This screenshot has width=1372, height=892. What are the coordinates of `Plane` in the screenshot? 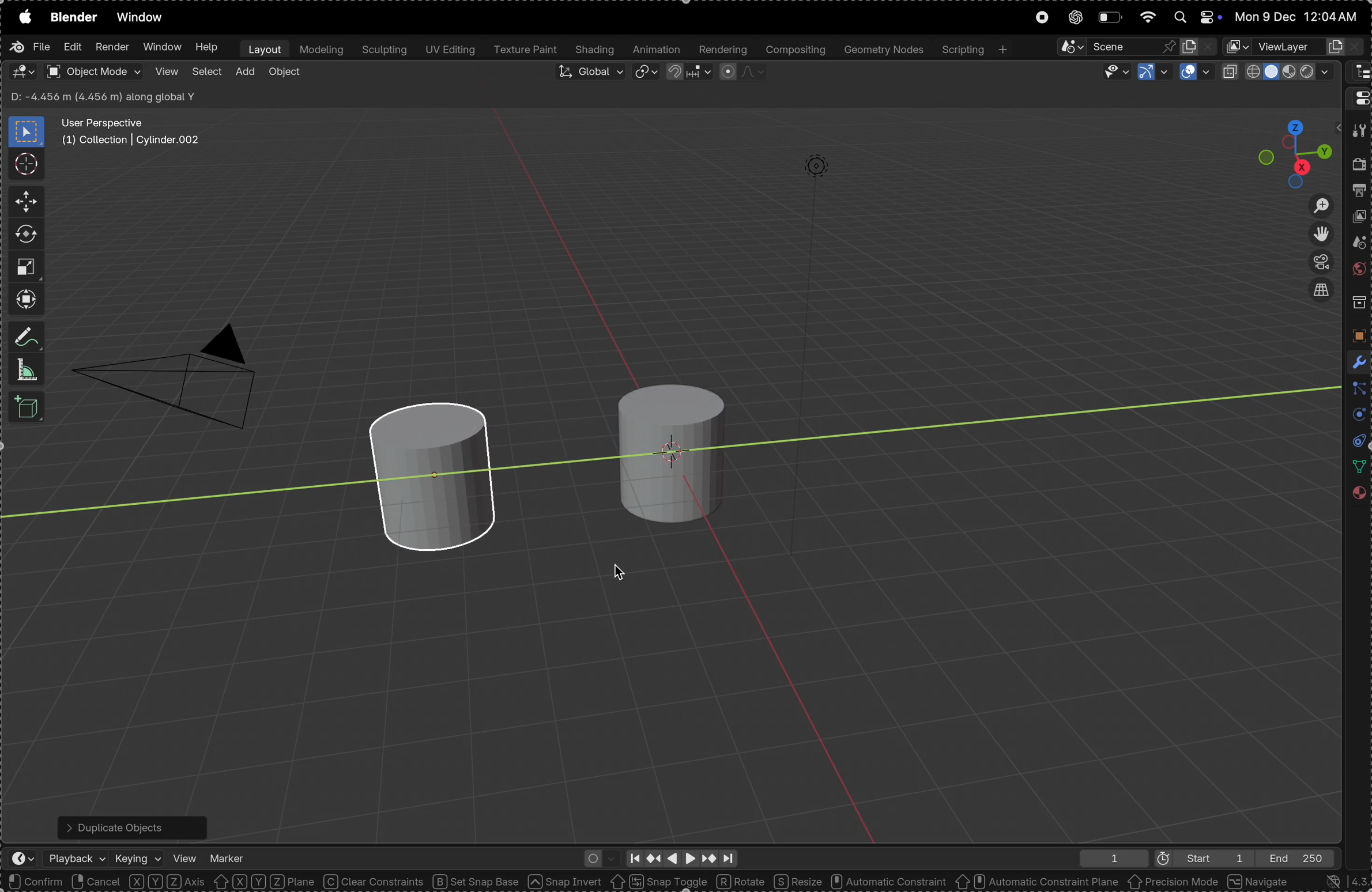 It's located at (294, 882).